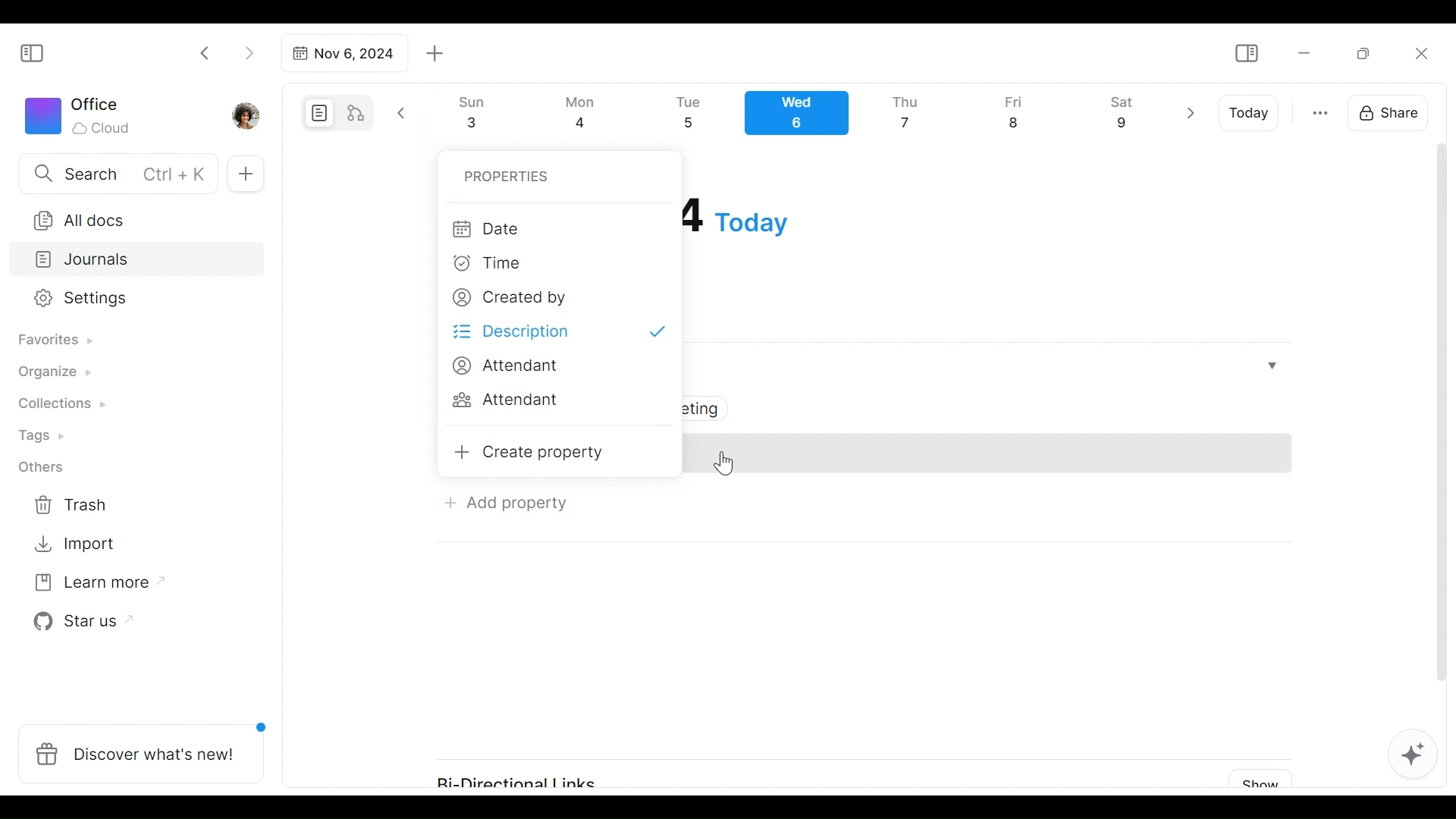 Image resolution: width=1456 pixels, height=819 pixels. I want to click on Others, so click(42, 467).